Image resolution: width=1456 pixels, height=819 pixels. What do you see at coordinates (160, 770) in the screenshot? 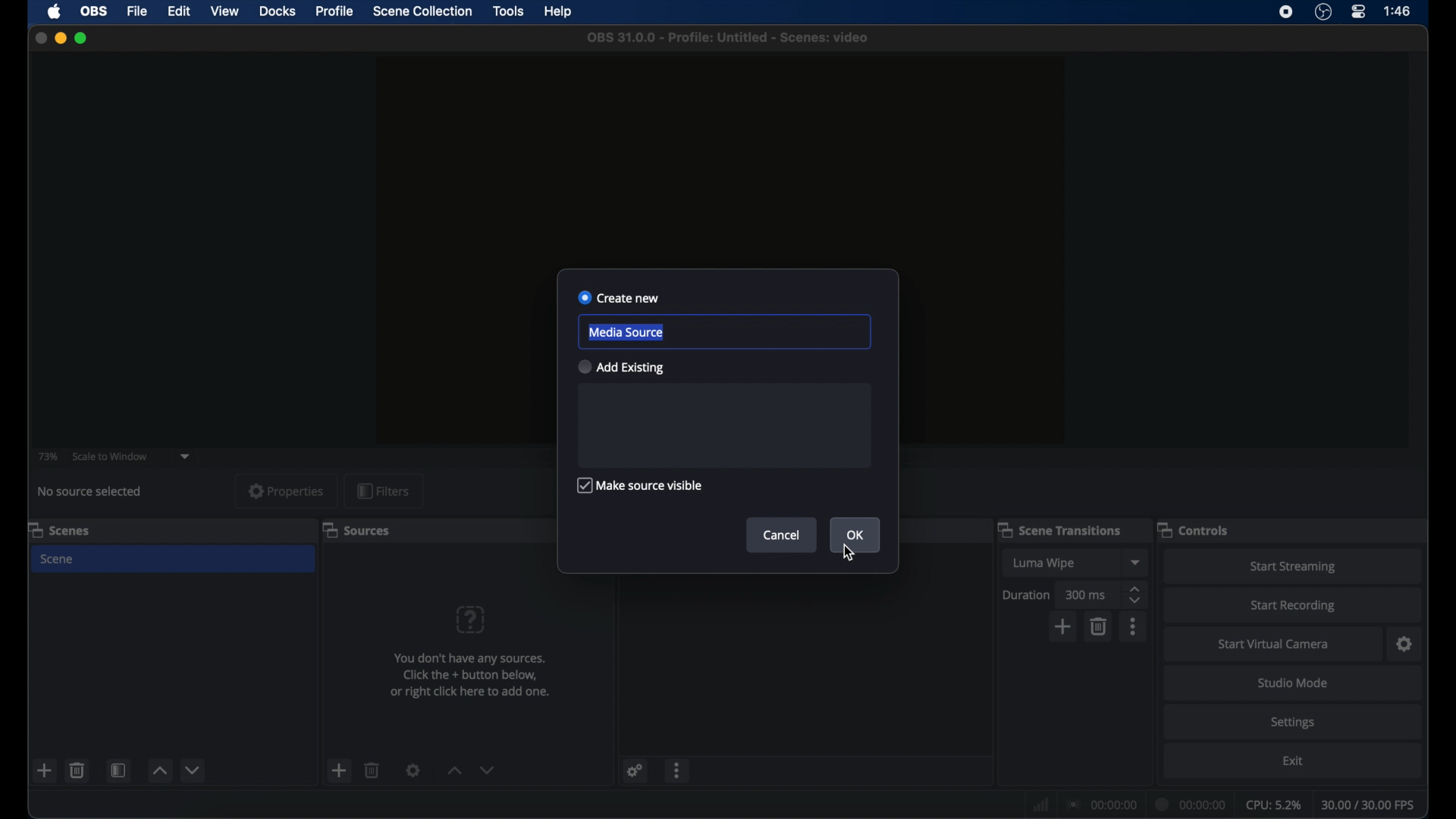
I see `increment` at bounding box center [160, 770].